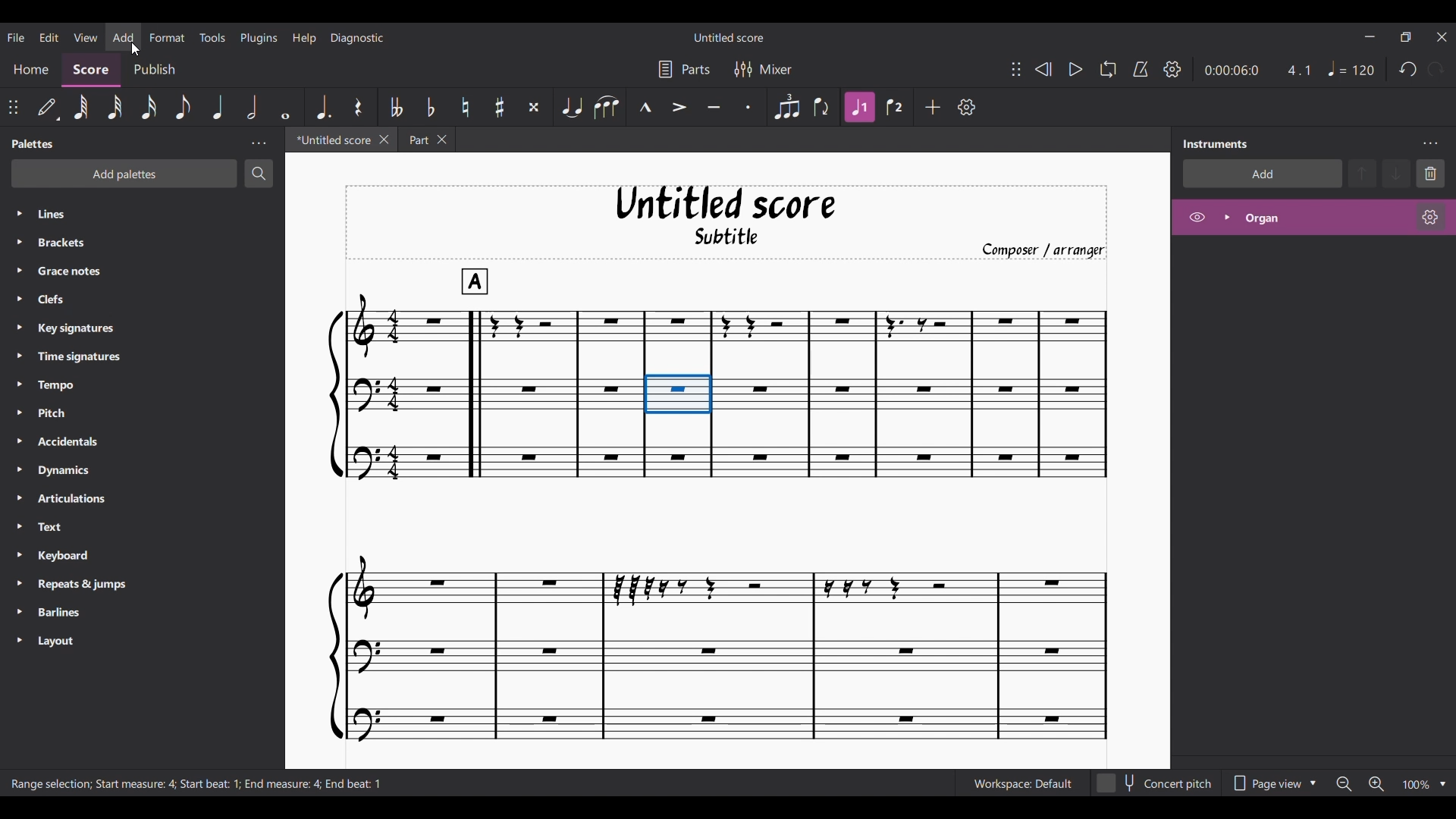 The image size is (1456, 819). I want to click on Redo, so click(1436, 70).